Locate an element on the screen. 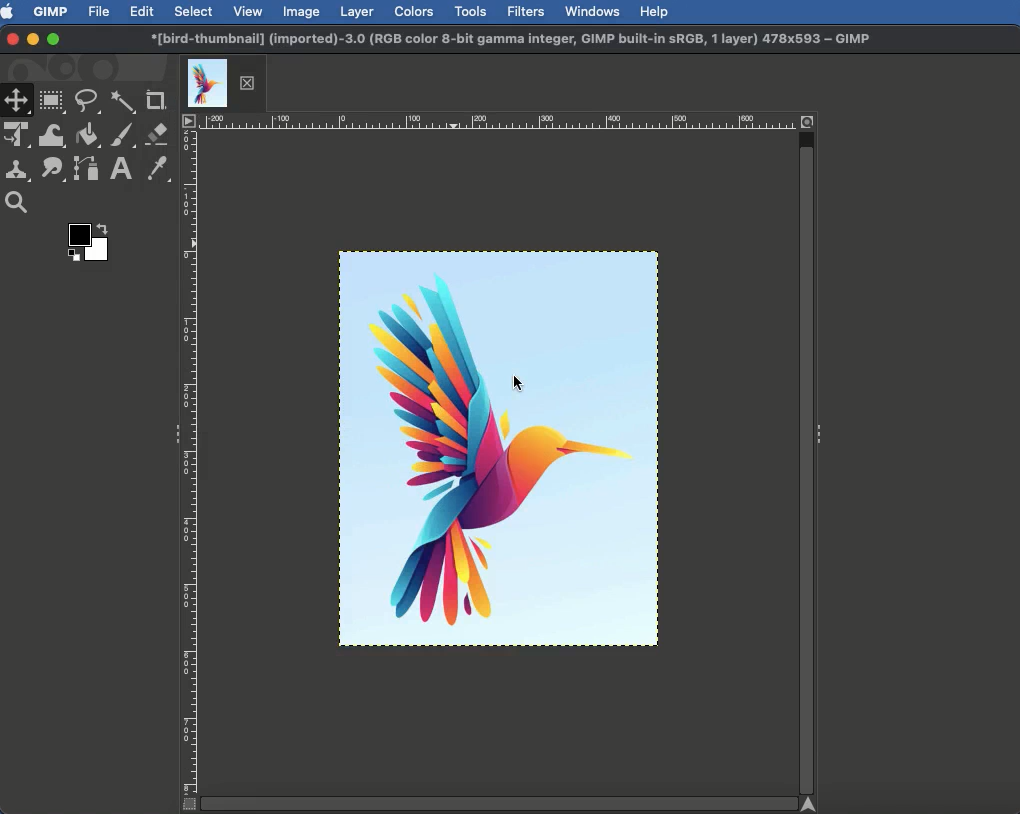 This screenshot has height=814, width=1020. Unified transform tool is located at coordinates (17, 133).